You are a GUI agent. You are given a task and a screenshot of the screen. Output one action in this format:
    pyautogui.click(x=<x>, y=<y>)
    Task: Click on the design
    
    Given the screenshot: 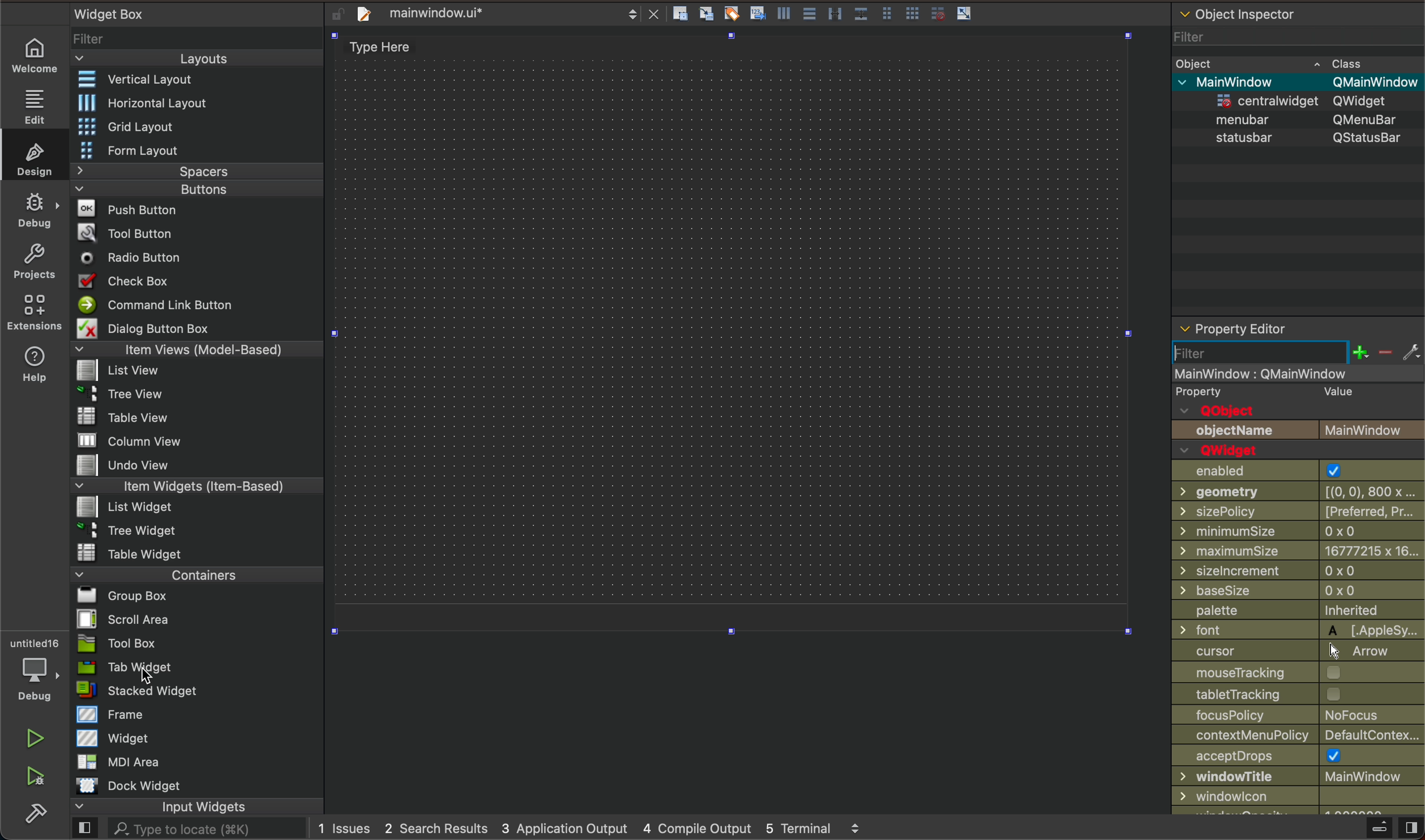 What is the action you would take?
    pyautogui.click(x=34, y=156)
    